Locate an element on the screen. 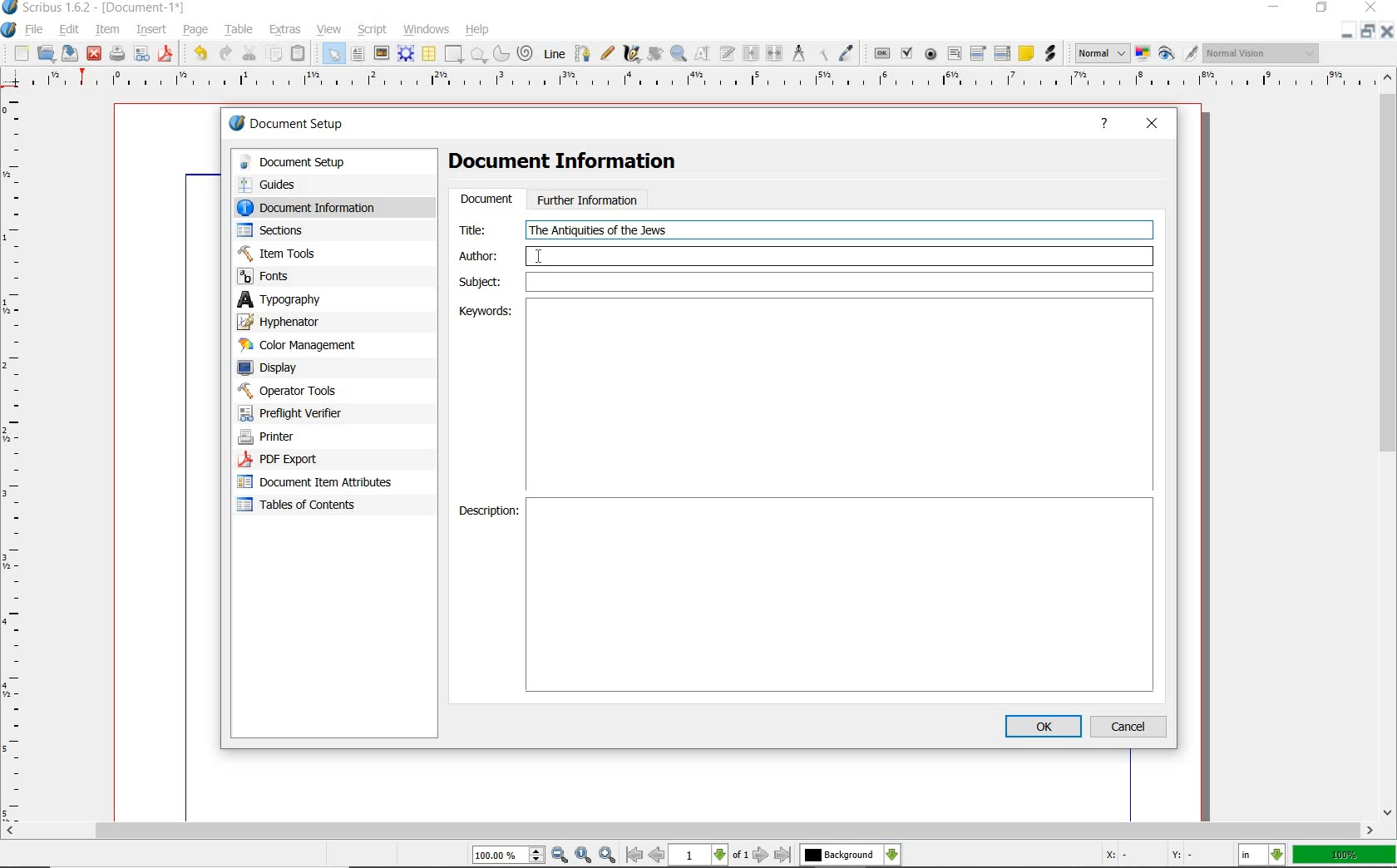  cancel is located at coordinates (1131, 726).